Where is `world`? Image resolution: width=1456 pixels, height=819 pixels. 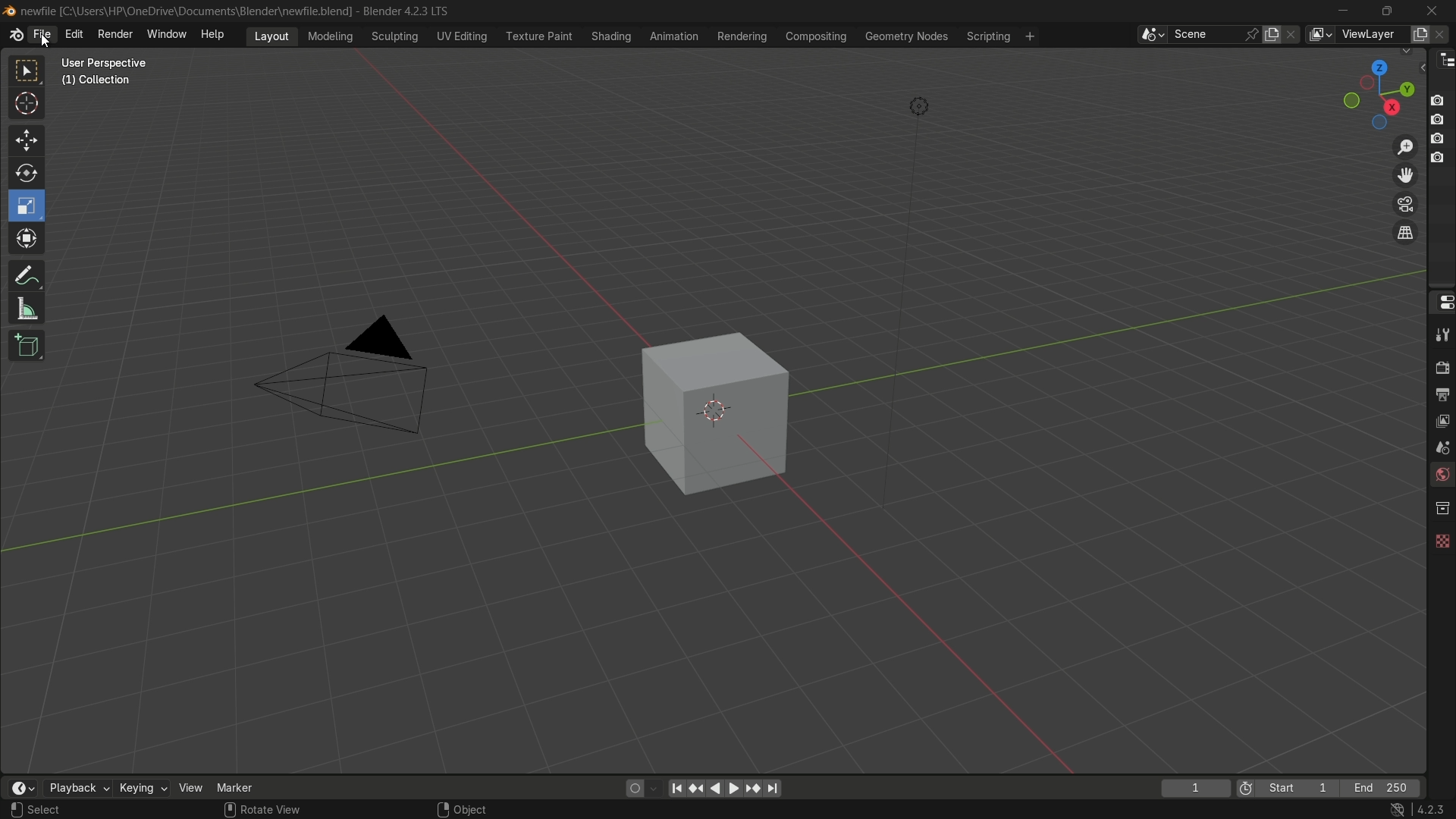 world is located at coordinates (1441, 476).